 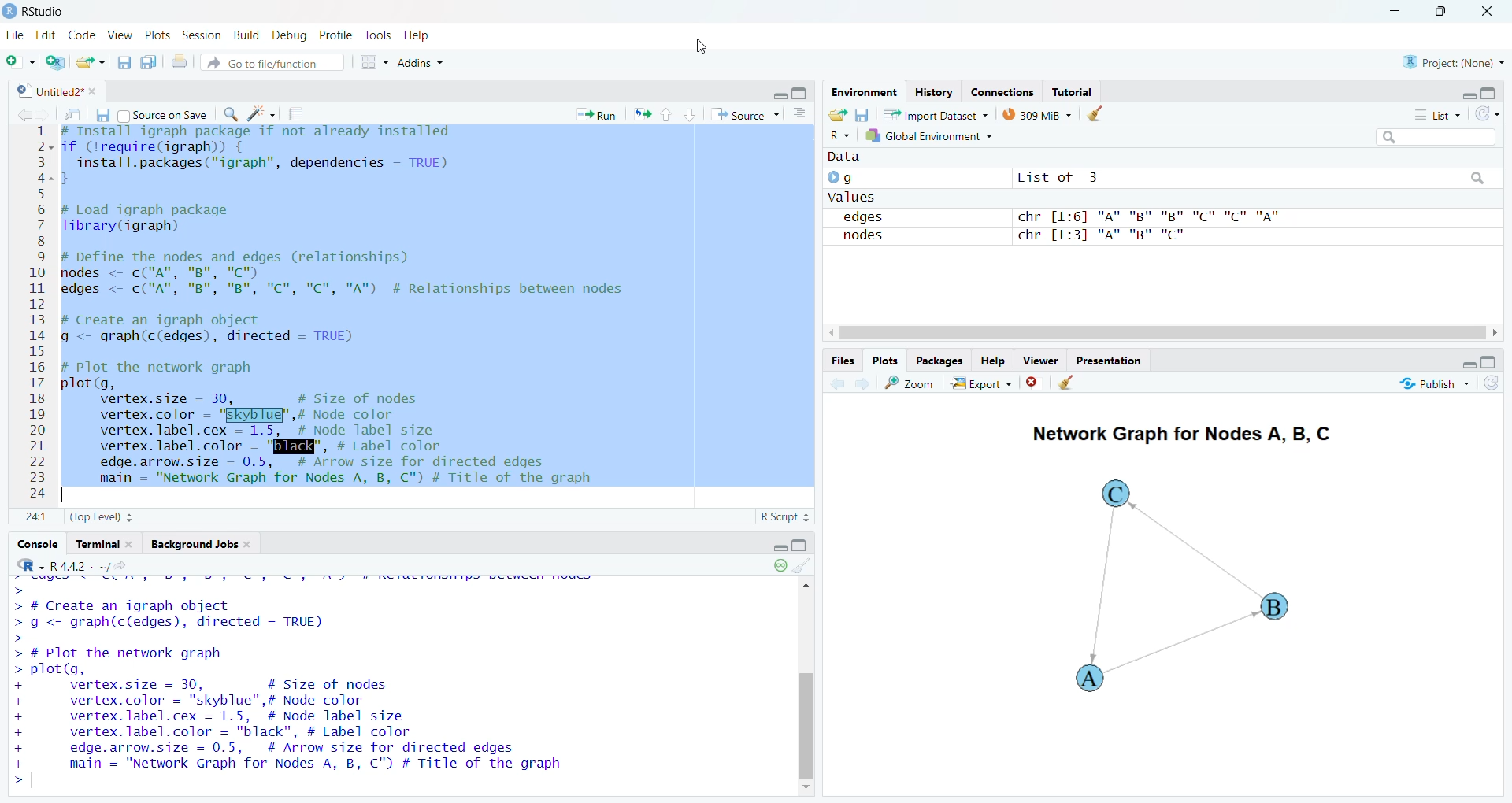 What do you see at coordinates (836, 115) in the screenshot?
I see `export` at bounding box center [836, 115].